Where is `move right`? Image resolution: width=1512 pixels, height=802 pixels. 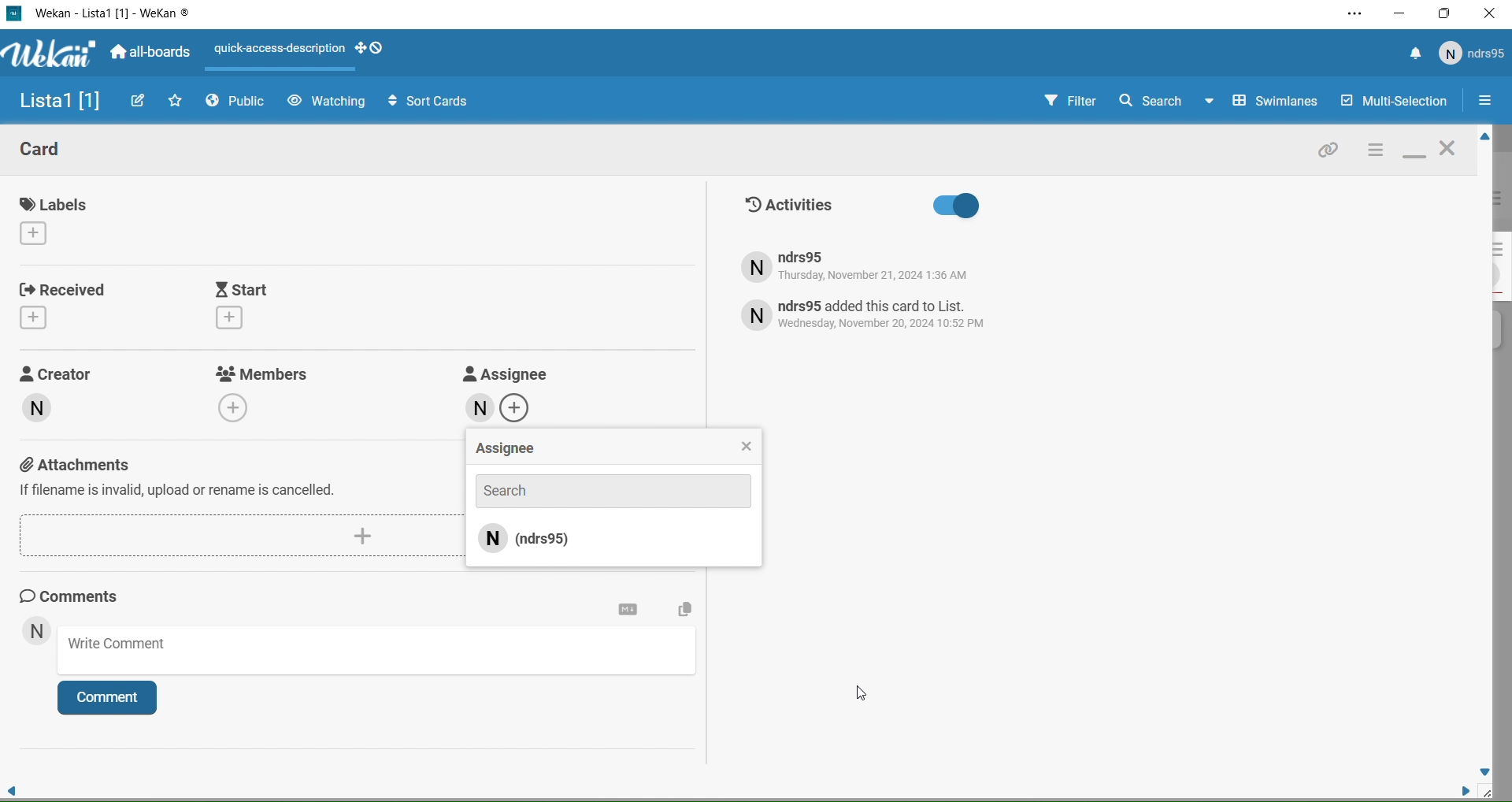 move right is located at coordinates (1458, 789).